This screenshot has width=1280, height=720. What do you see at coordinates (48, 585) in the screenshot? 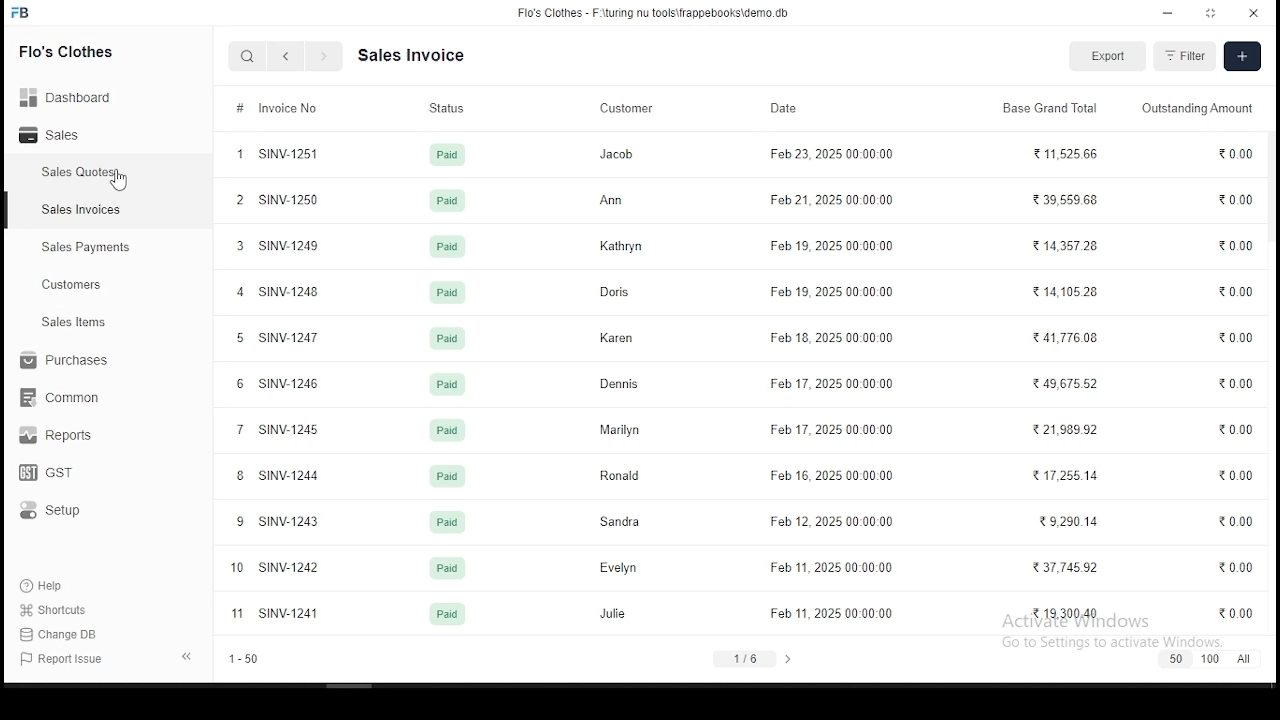
I see `help` at bounding box center [48, 585].